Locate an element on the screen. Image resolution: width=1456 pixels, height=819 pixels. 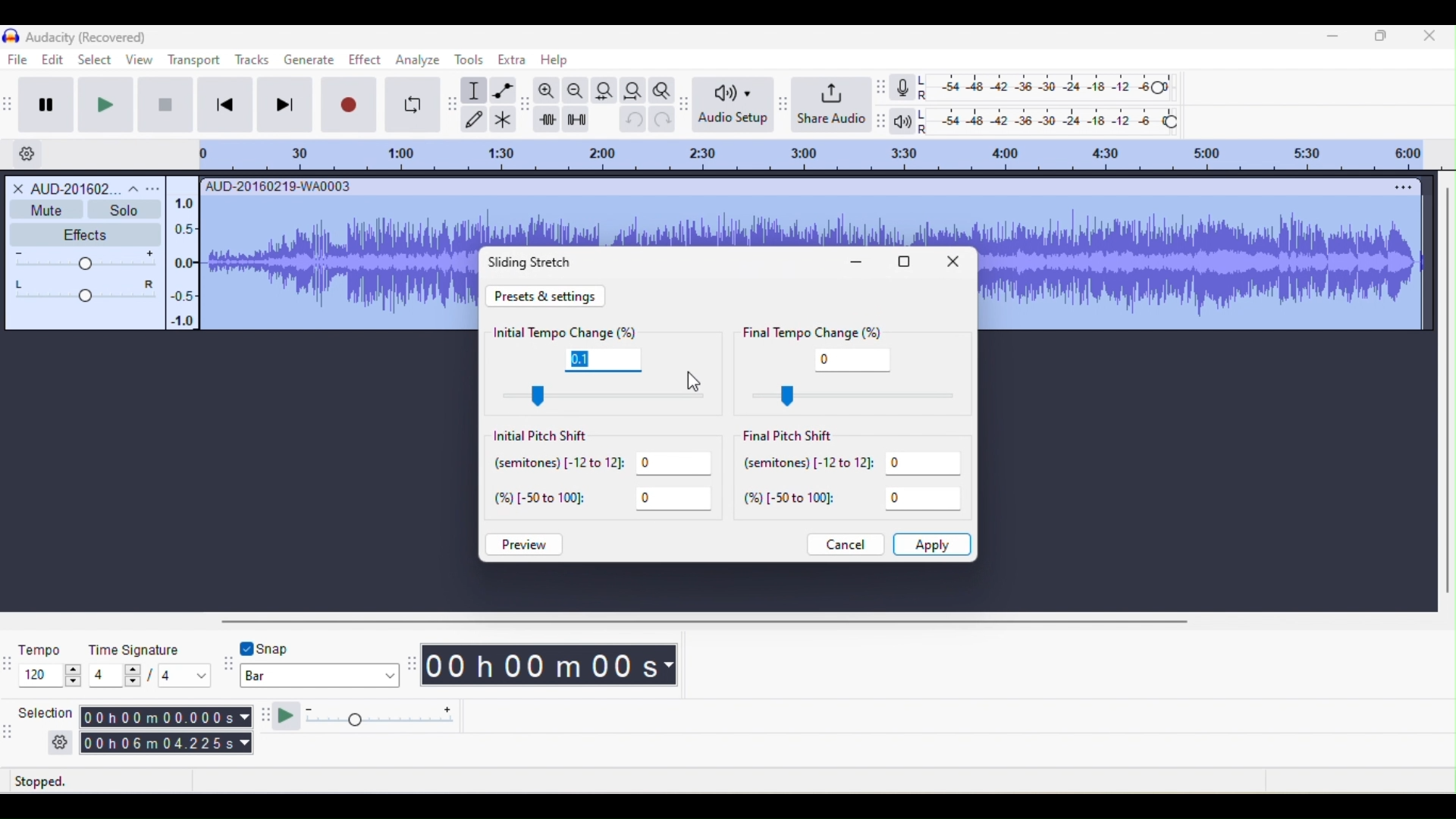
audacity time toolbar is located at coordinates (411, 664).